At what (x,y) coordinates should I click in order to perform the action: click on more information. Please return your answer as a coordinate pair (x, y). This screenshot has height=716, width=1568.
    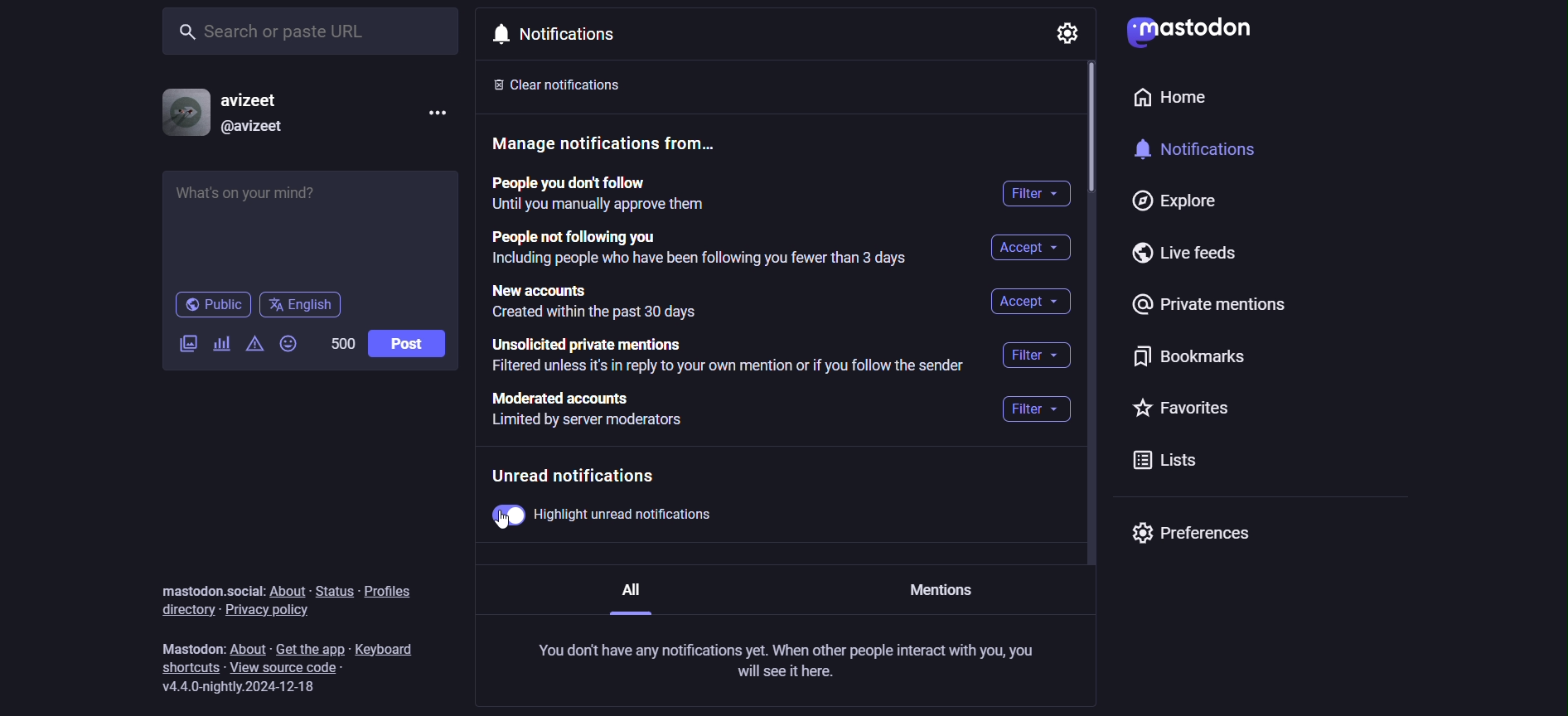
    Looking at the image, I should click on (439, 114).